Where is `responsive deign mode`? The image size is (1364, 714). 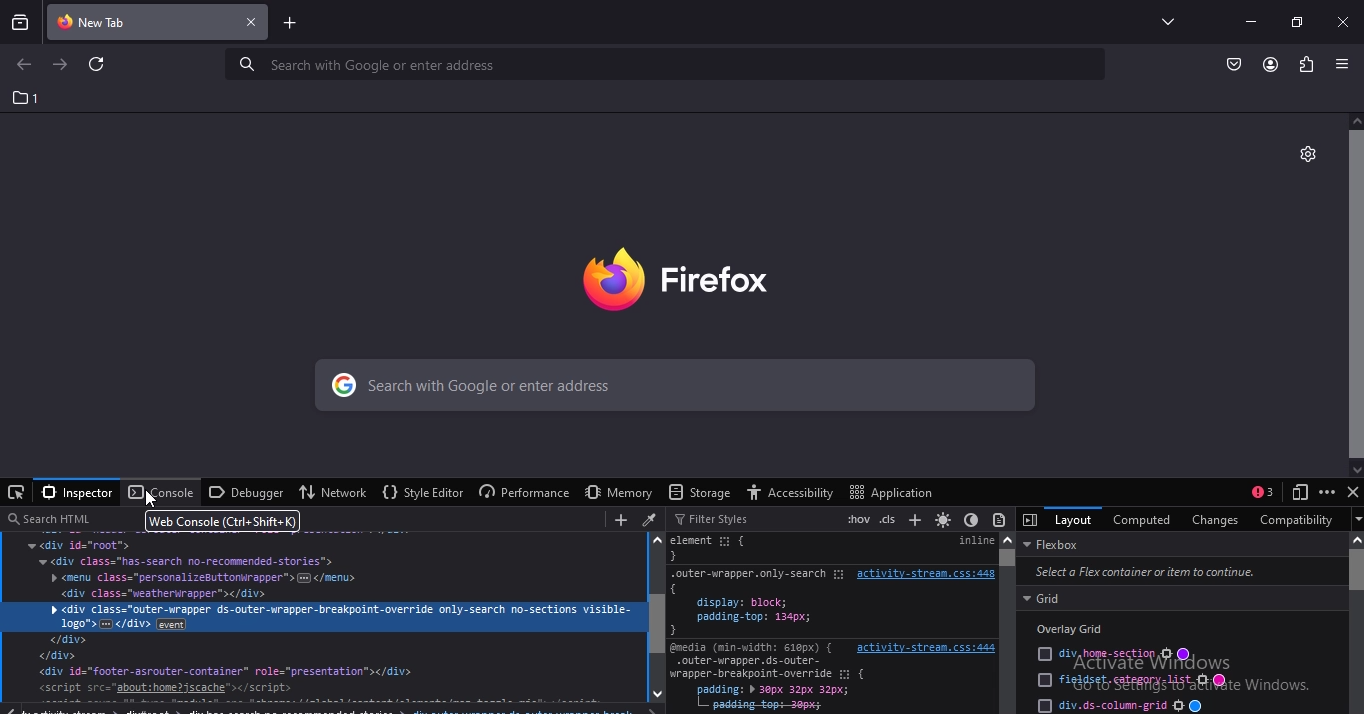 responsive deign mode is located at coordinates (1301, 492).